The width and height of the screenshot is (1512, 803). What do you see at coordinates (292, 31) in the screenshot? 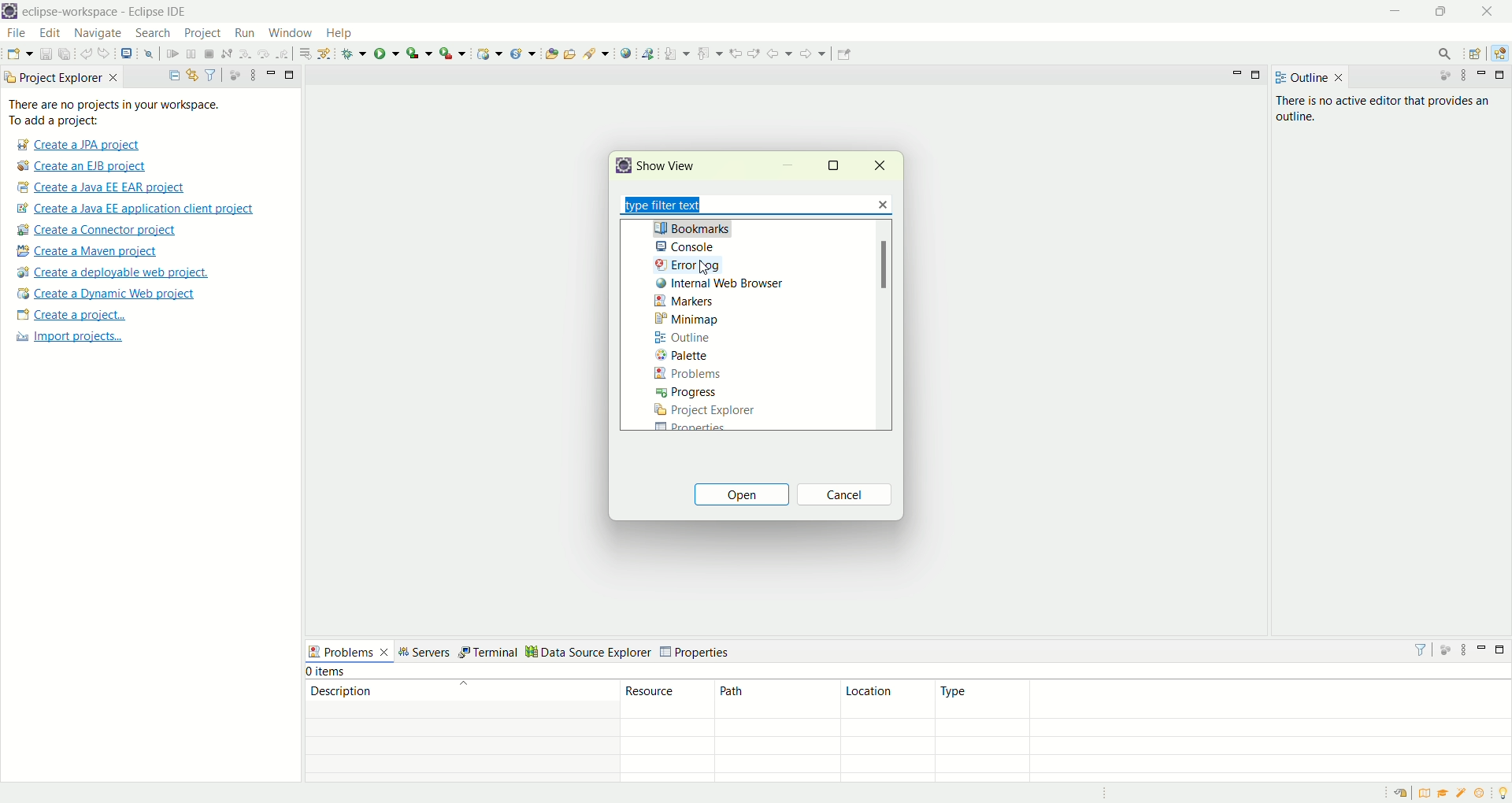
I see `window` at bounding box center [292, 31].